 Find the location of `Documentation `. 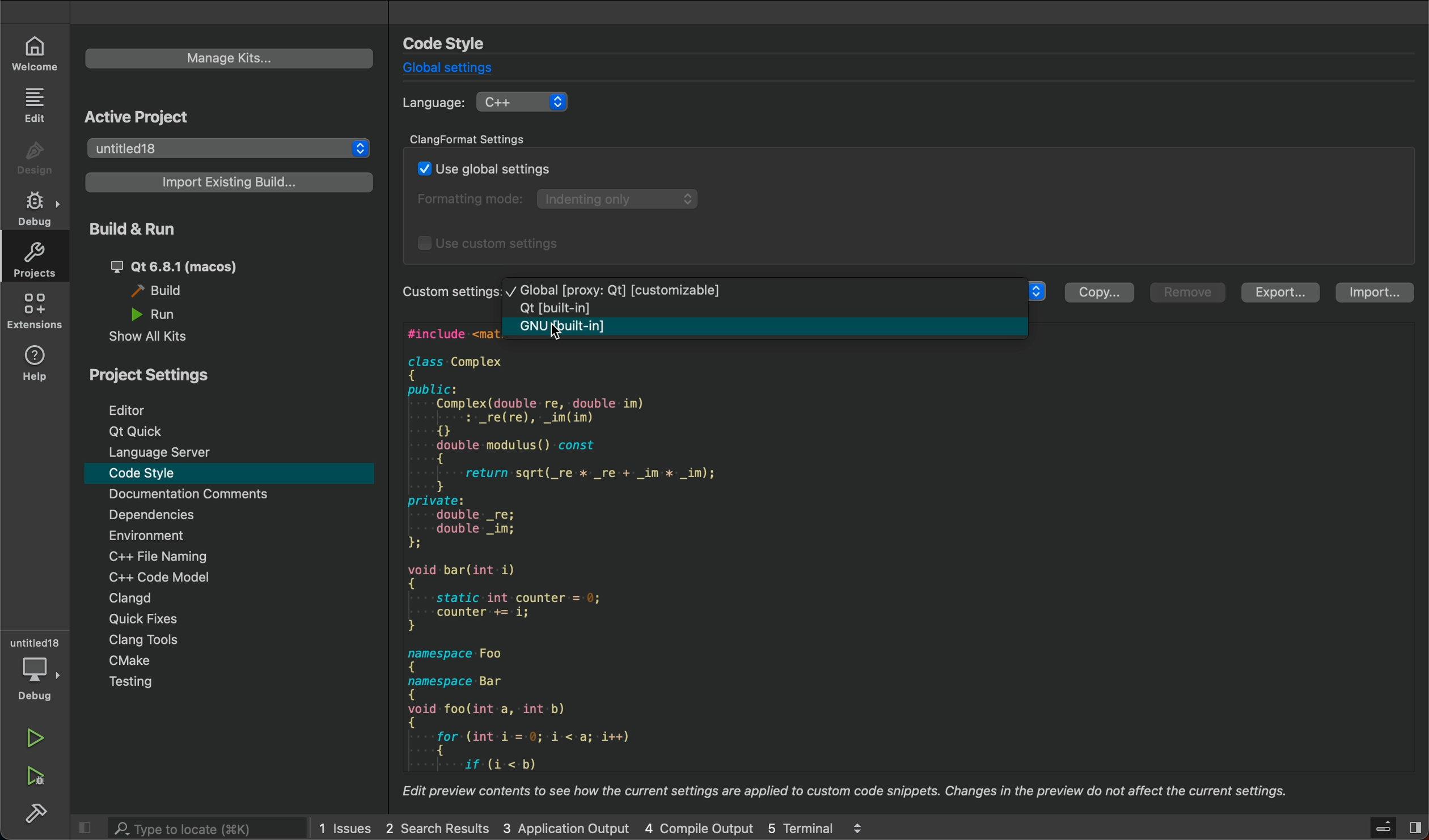

Documentation  is located at coordinates (181, 495).